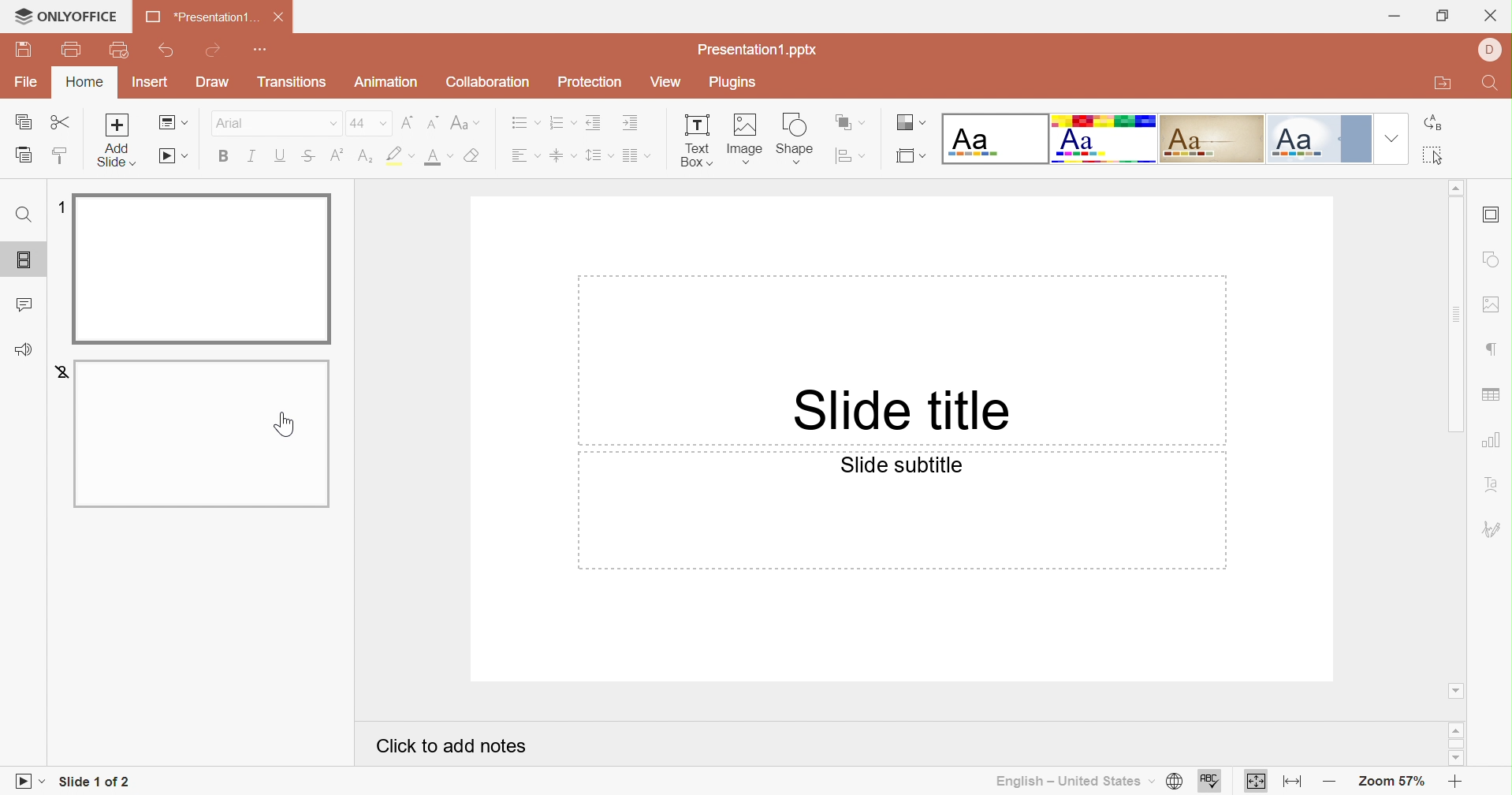  What do you see at coordinates (19, 259) in the screenshot?
I see `Slides` at bounding box center [19, 259].